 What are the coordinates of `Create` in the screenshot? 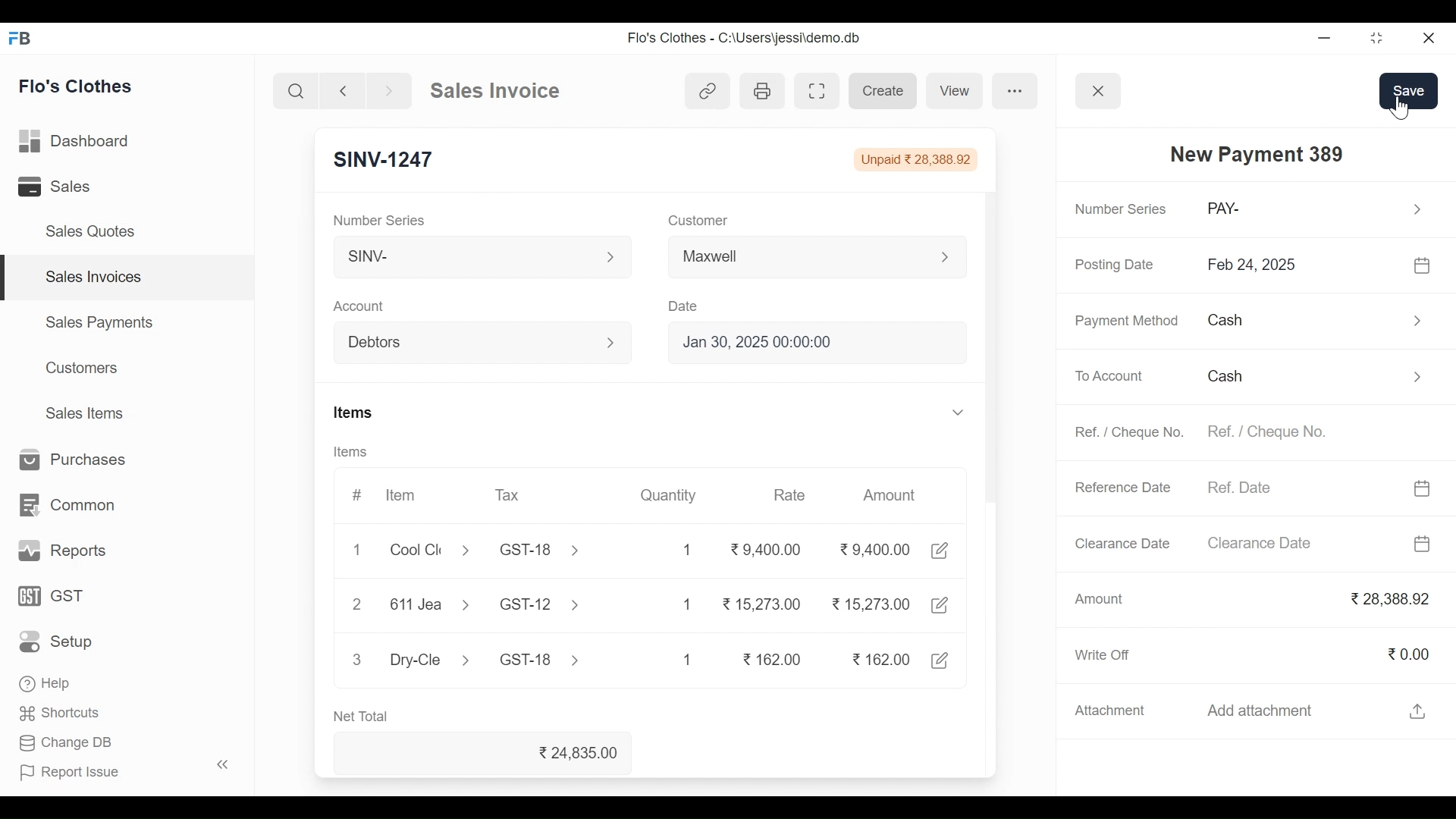 It's located at (883, 91).